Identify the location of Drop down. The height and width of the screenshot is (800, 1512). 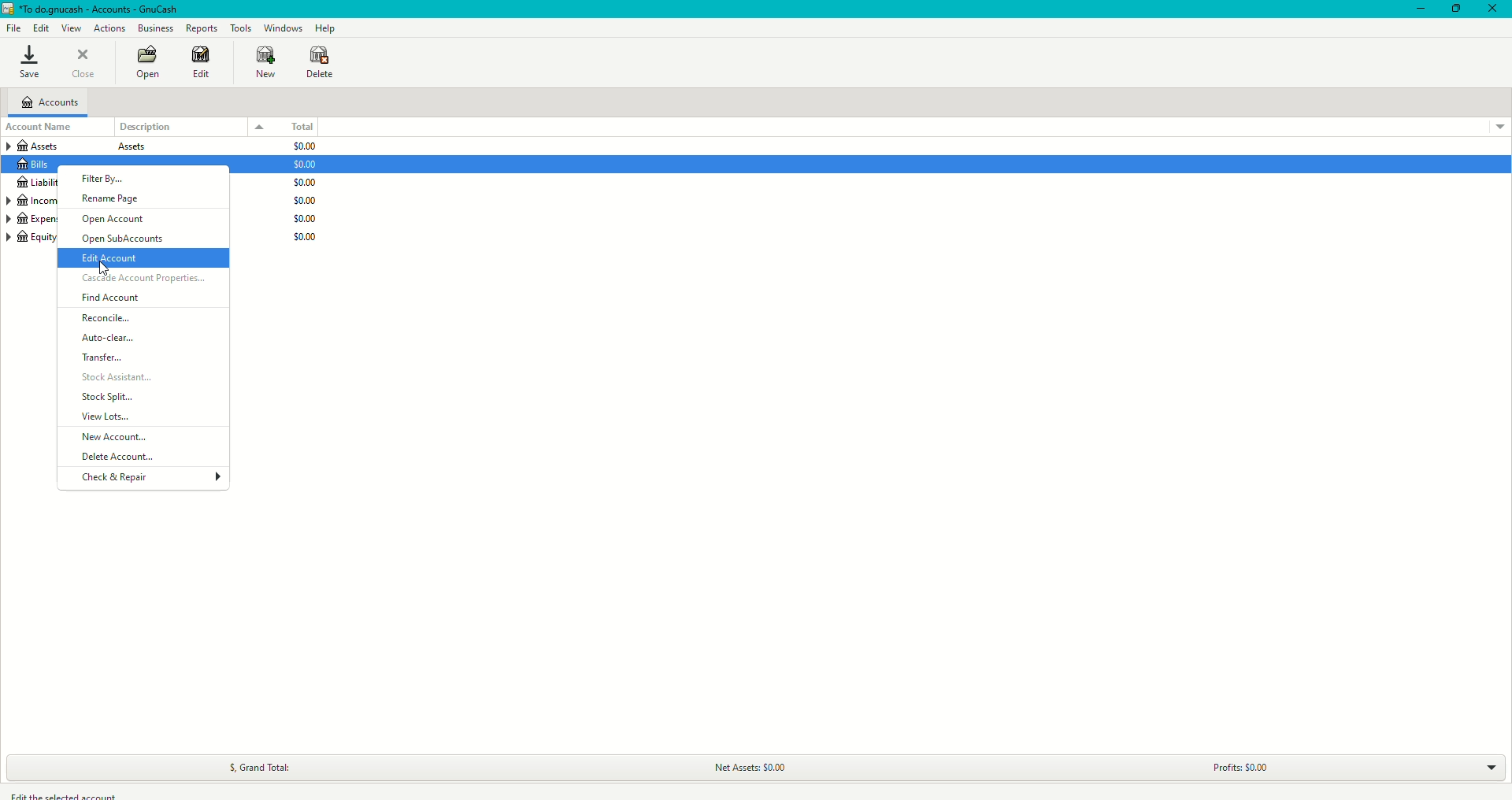
(1491, 769).